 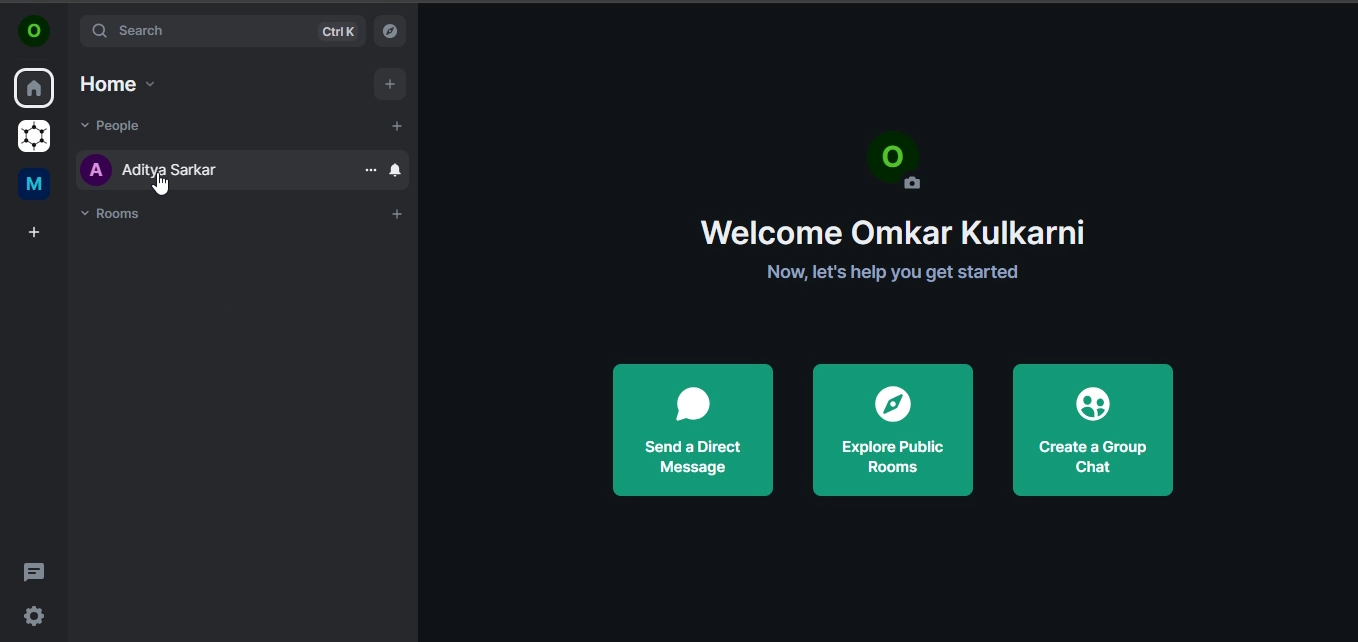 What do you see at coordinates (397, 125) in the screenshot?
I see `start chat` at bounding box center [397, 125].